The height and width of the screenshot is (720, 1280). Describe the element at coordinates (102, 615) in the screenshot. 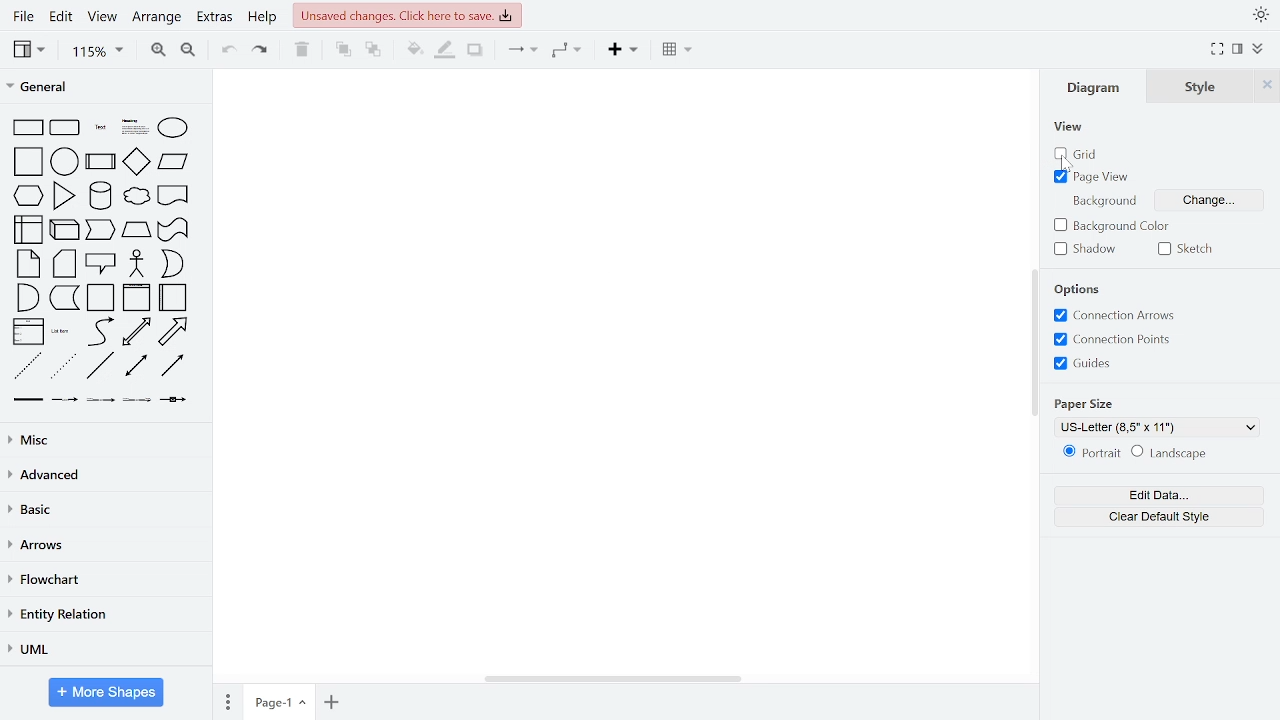

I see `entity relation` at that location.